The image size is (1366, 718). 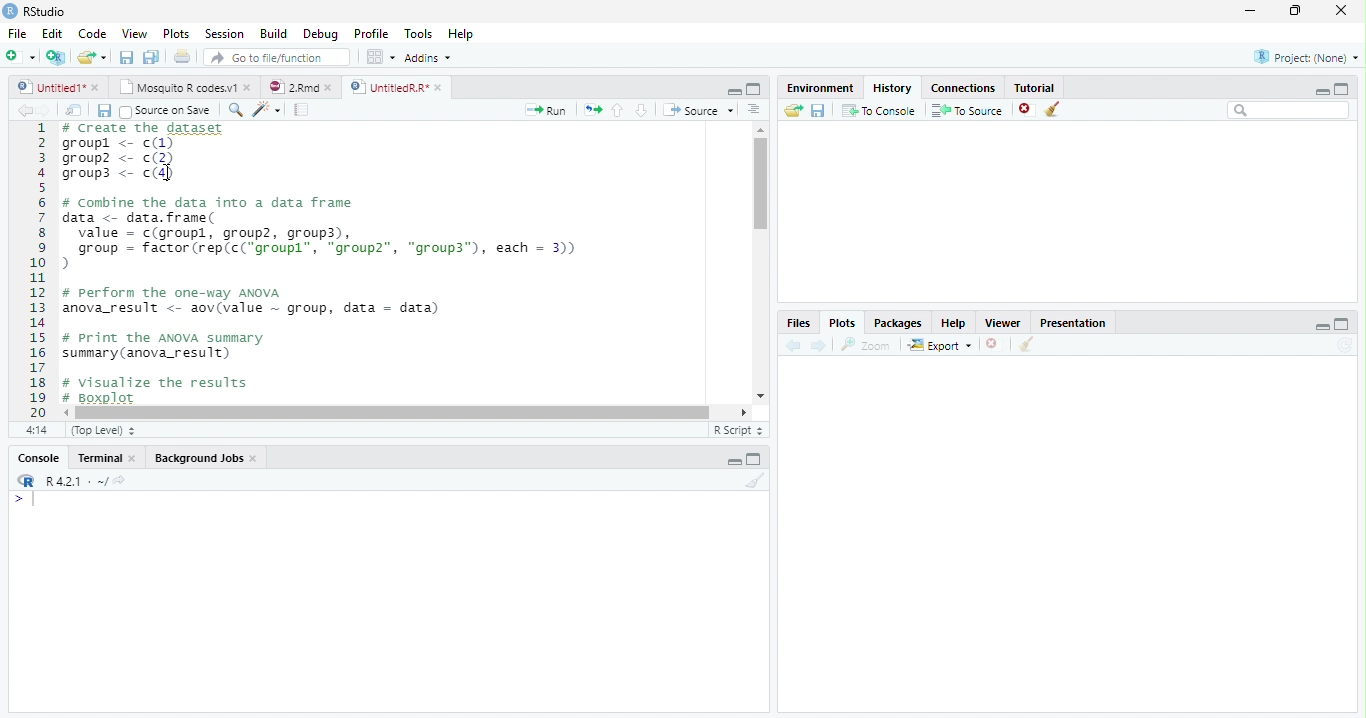 I want to click on Viewer, so click(x=1005, y=322).